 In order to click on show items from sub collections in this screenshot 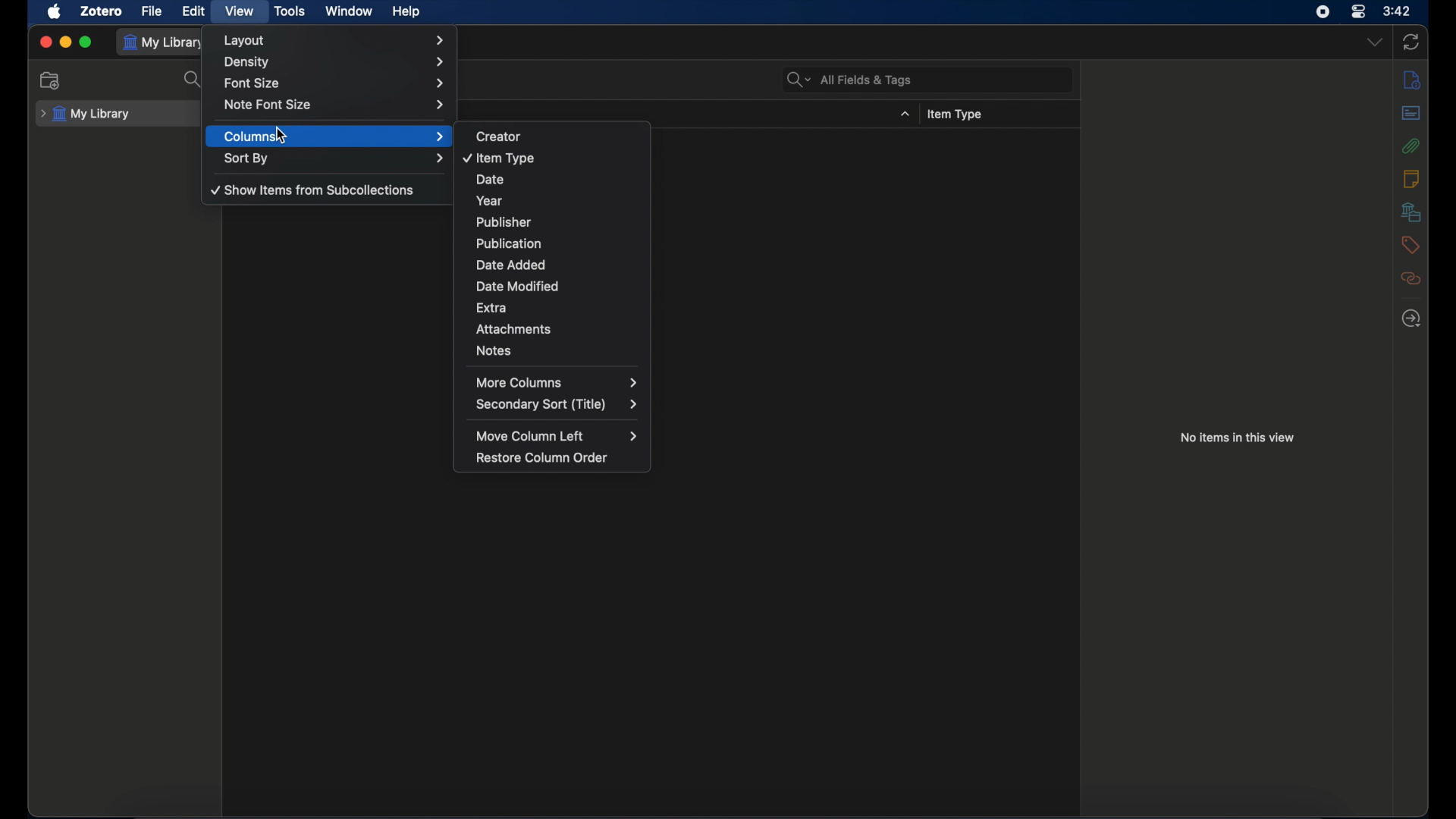, I will do `click(314, 190)`.